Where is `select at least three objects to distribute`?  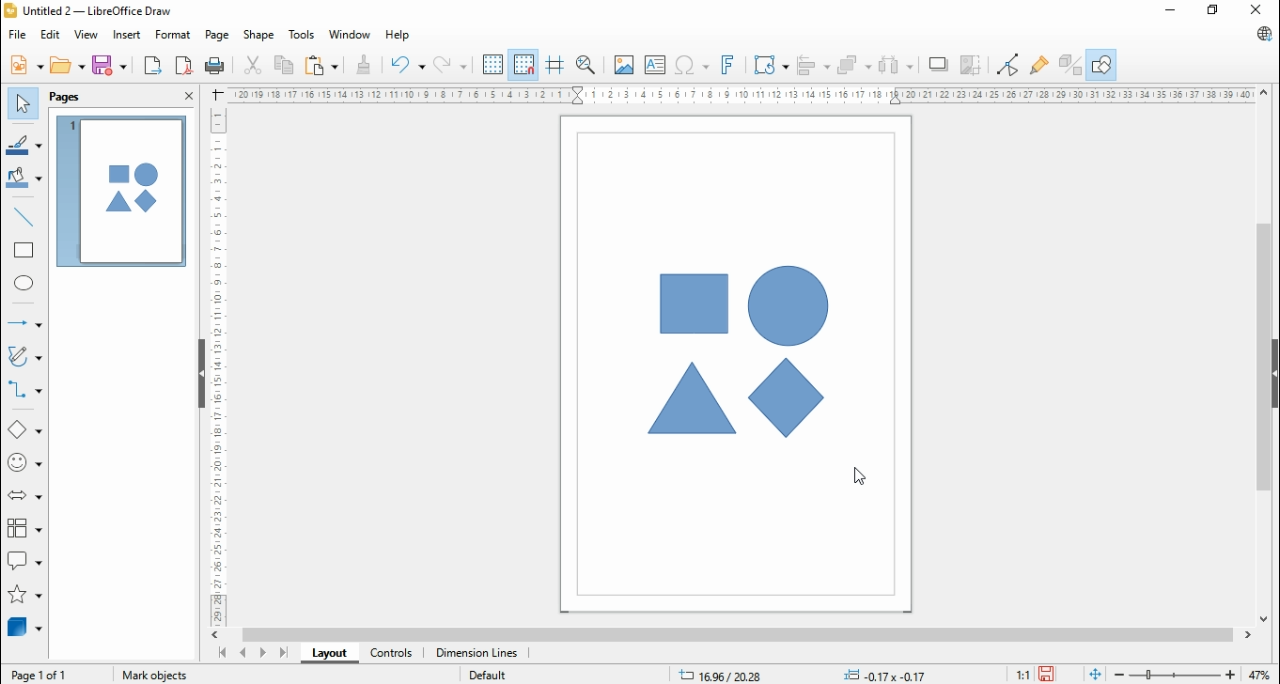 select at least three objects to distribute is located at coordinates (895, 66).